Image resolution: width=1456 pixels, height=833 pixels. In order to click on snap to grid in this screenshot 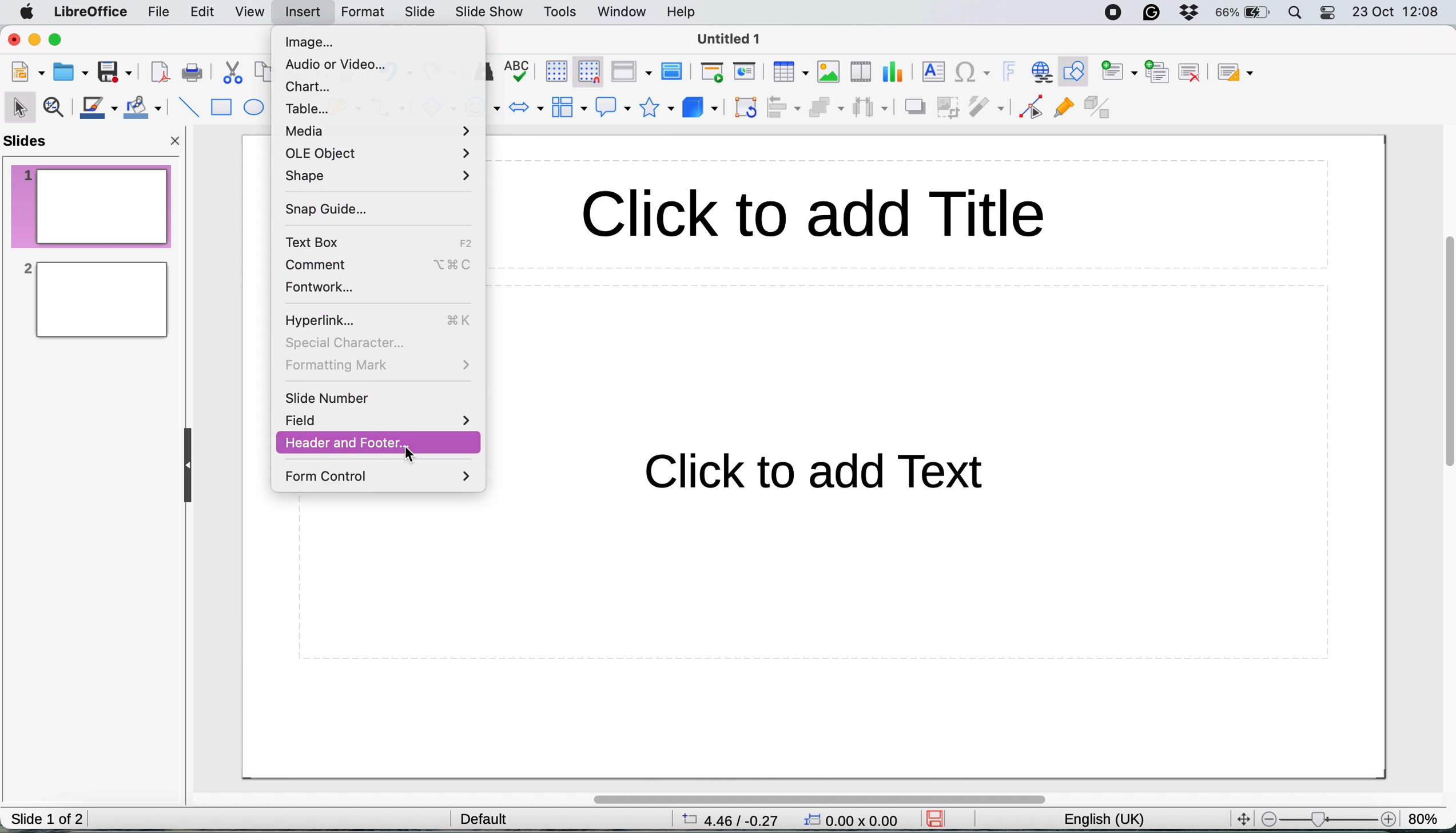, I will do `click(584, 70)`.